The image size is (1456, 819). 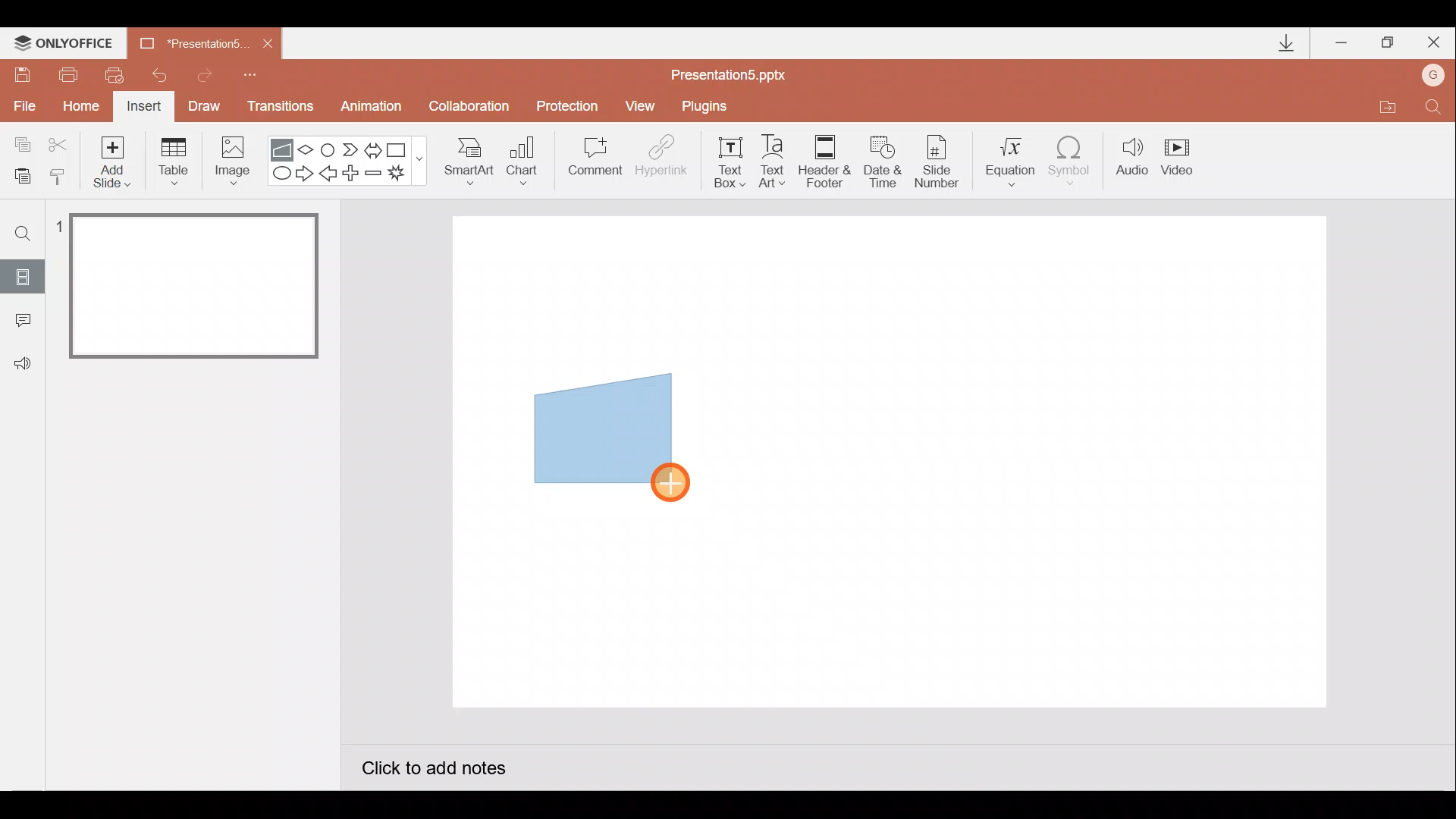 I want to click on Text box, so click(x=725, y=160).